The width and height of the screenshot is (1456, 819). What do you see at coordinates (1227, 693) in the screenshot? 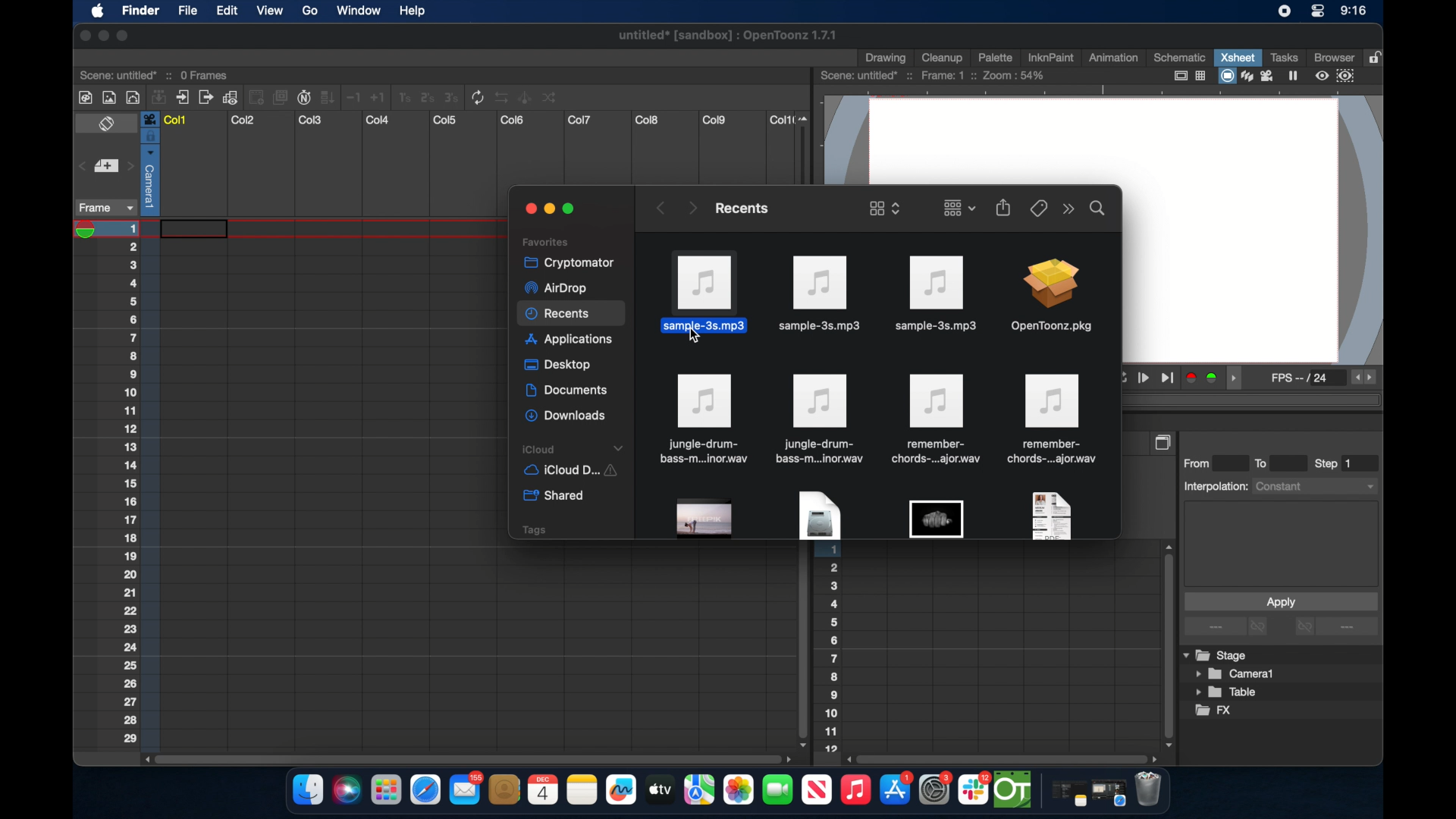
I see `table` at bounding box center [1227, 693].